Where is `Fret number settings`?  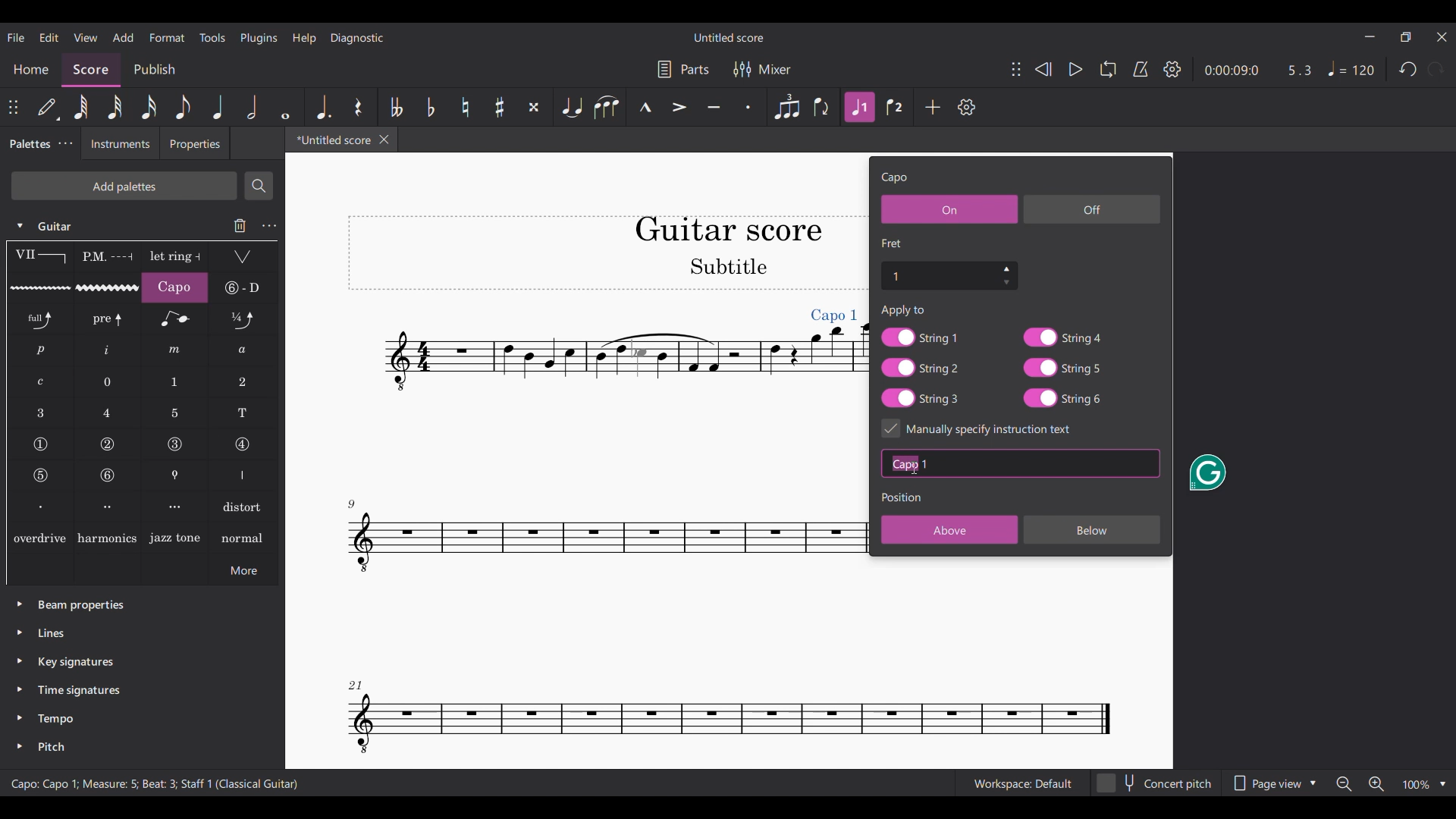
Fret number settings is located at coordinates (949, 275).